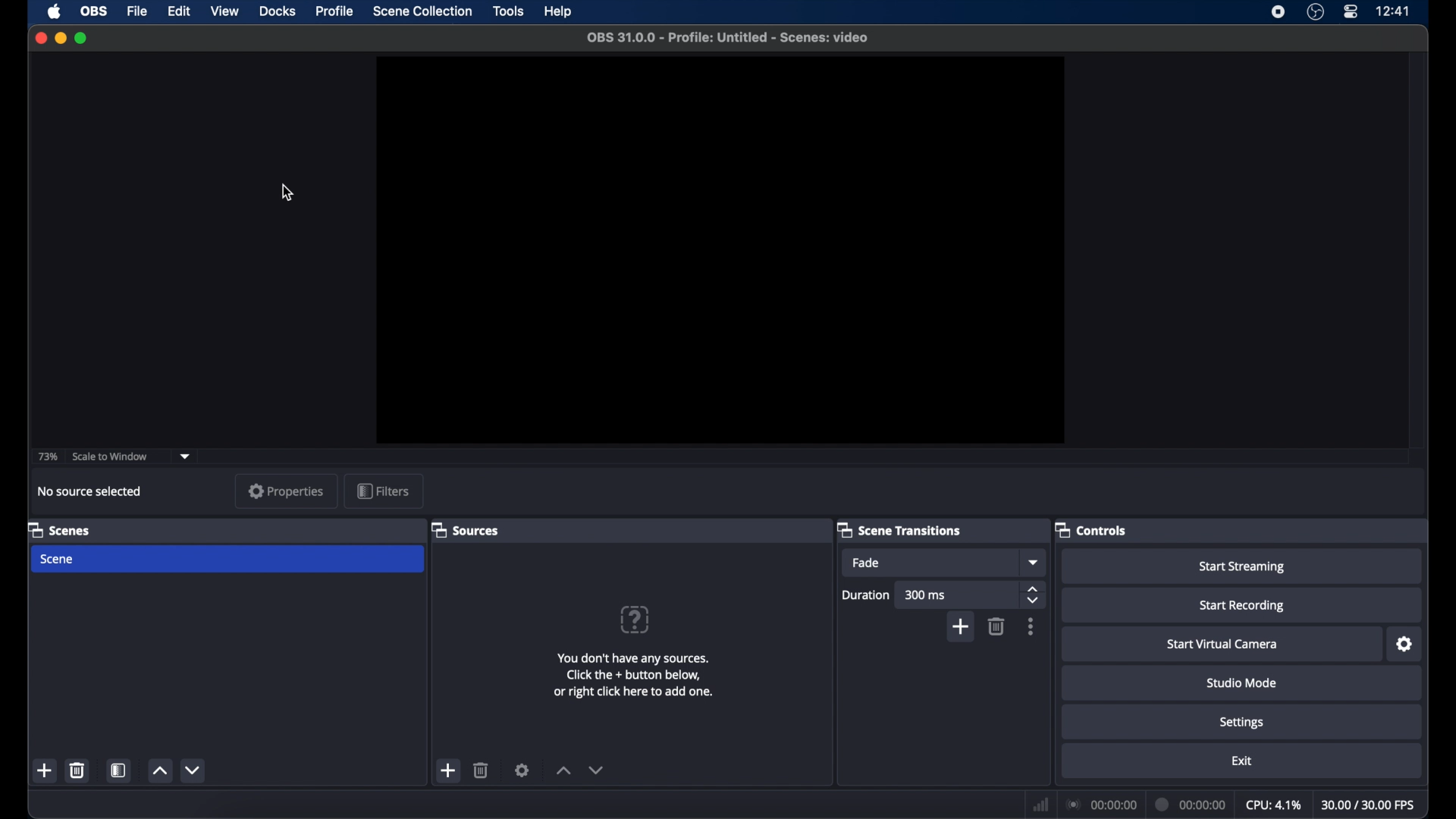 The image size is (1456, 819). I want to click on minimize, so click(60, 38).